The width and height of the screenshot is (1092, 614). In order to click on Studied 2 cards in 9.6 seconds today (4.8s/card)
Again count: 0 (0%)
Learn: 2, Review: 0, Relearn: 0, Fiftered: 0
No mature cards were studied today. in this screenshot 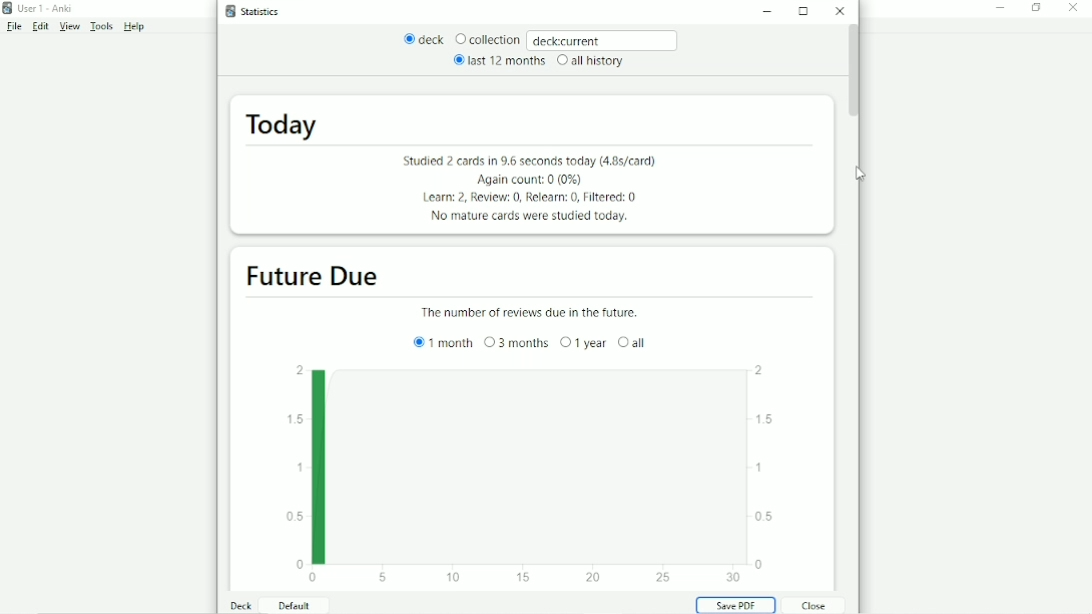, I will do `click(530, 188)`.